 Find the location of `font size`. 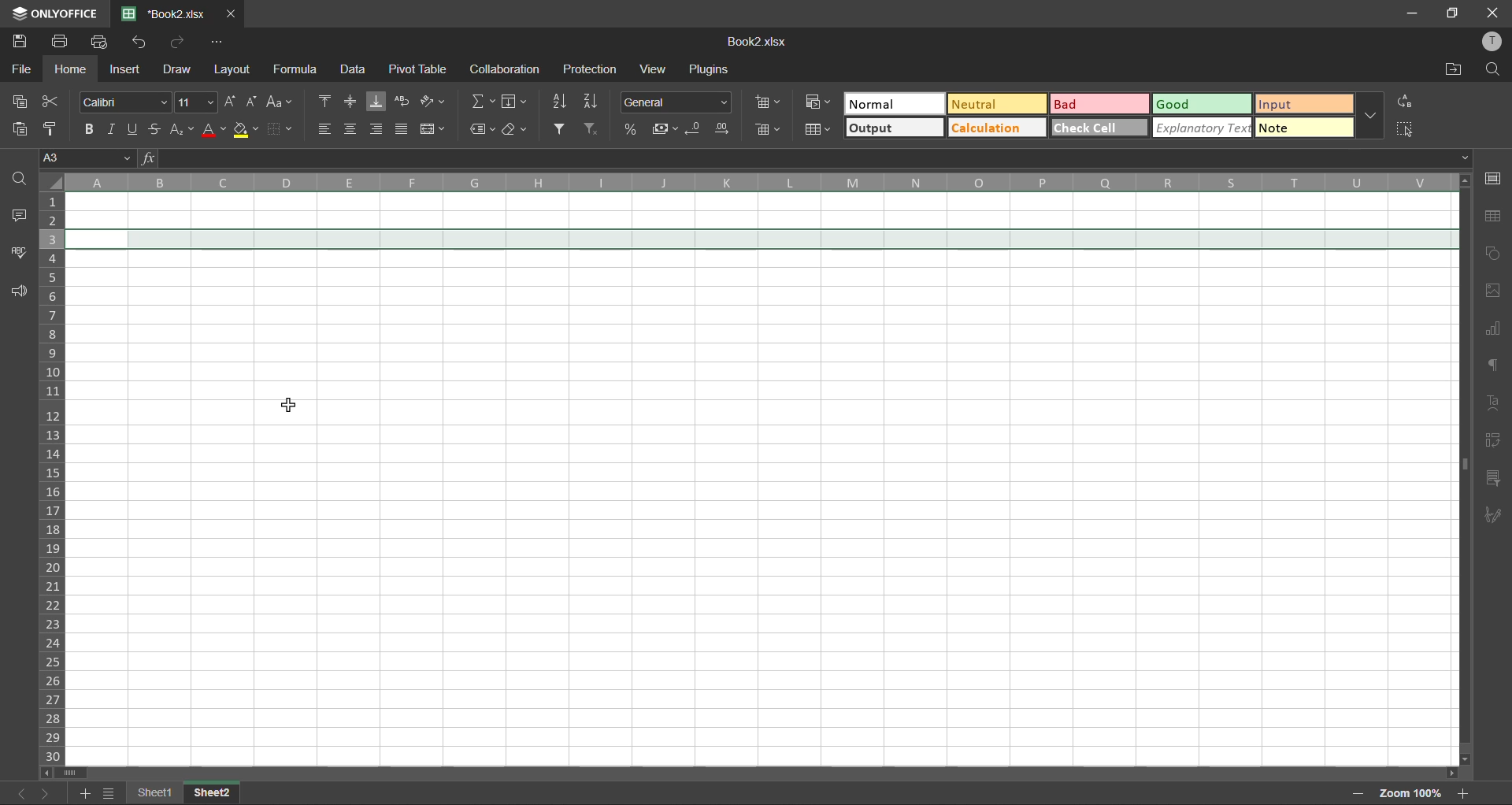

font size is located at coordinates (196, 101).